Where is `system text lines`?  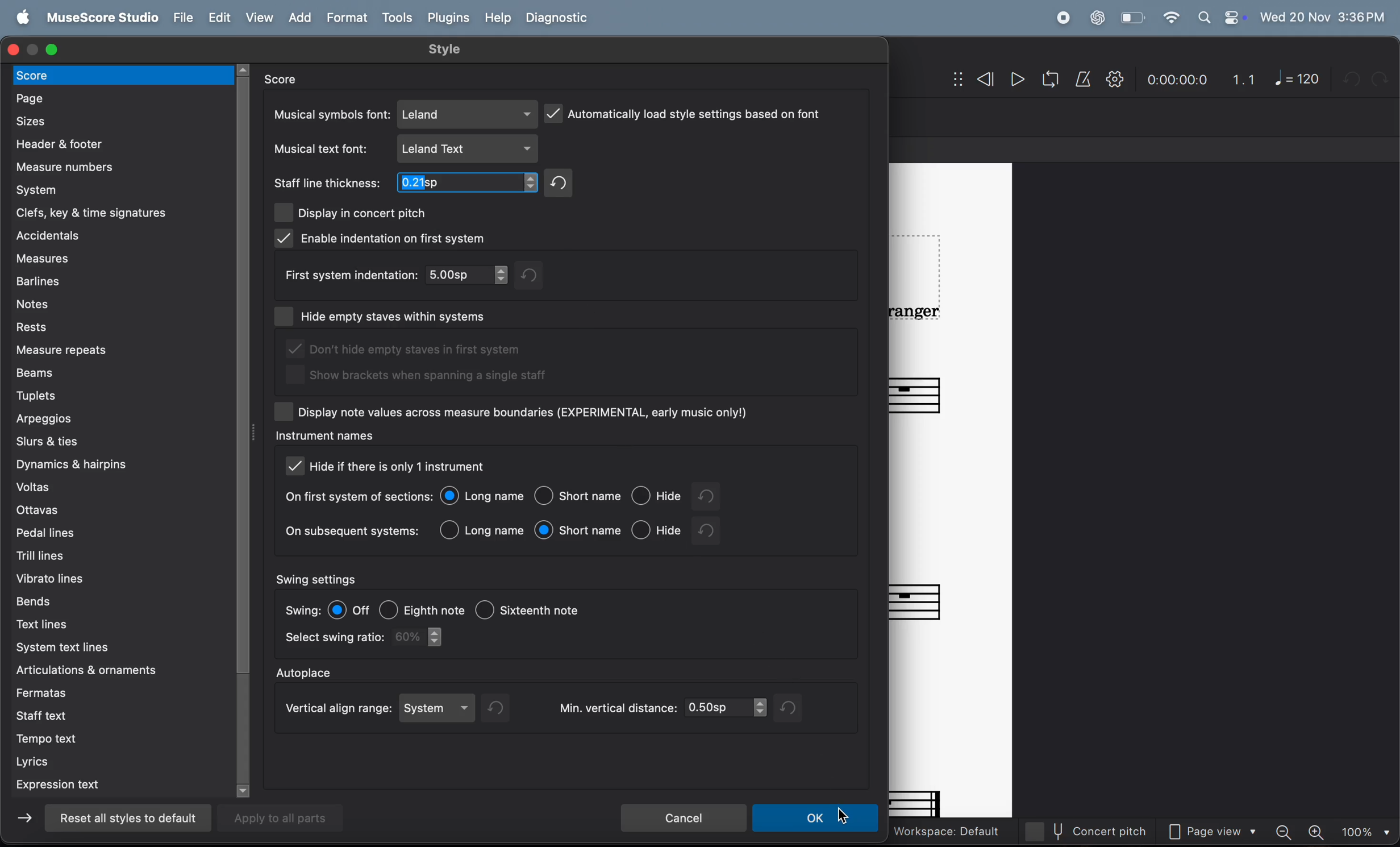 system text lines is located at coordinates (113, 649).